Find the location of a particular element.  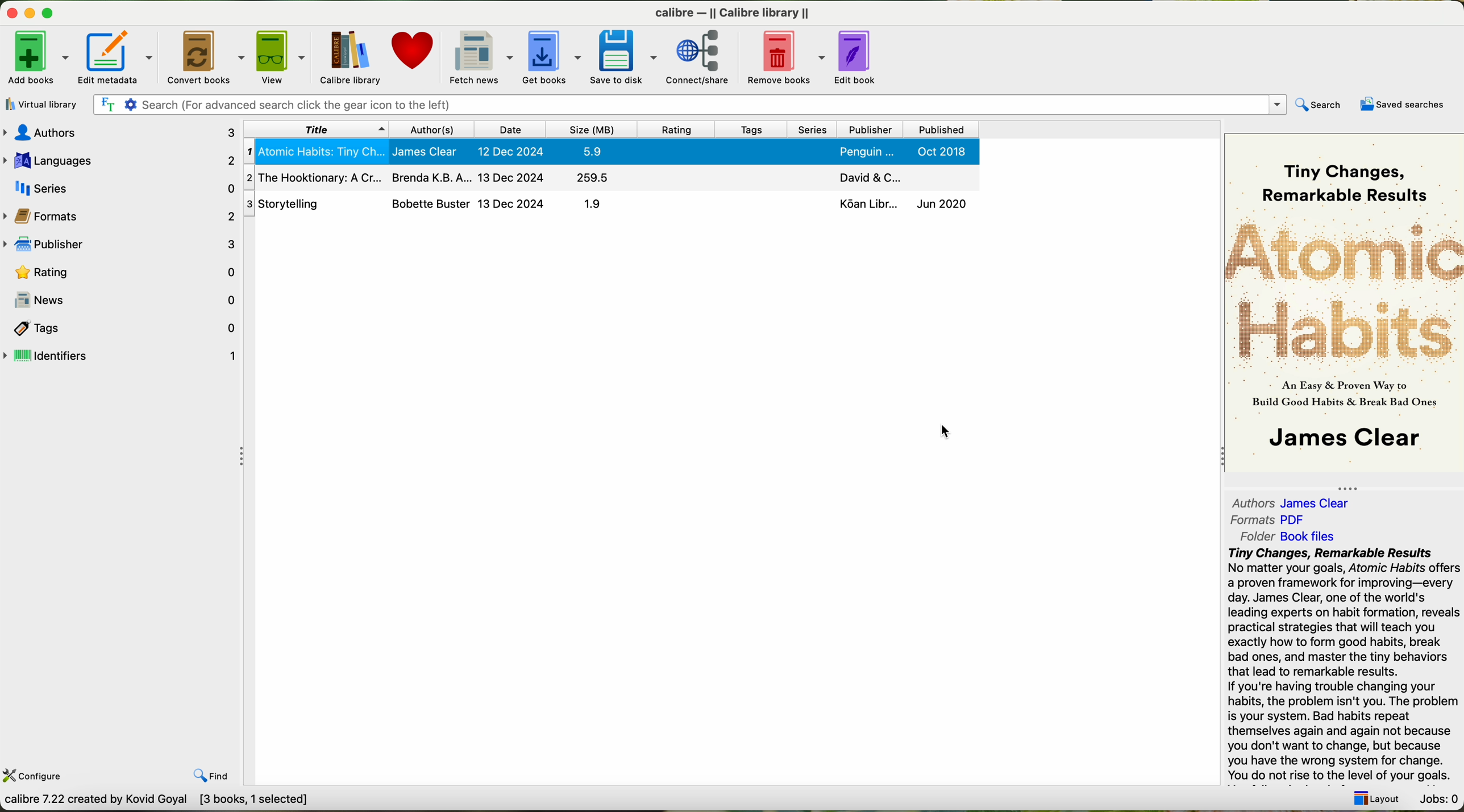

Ko6an Libr... Jun 2020 is located at coordinates (900, 206).